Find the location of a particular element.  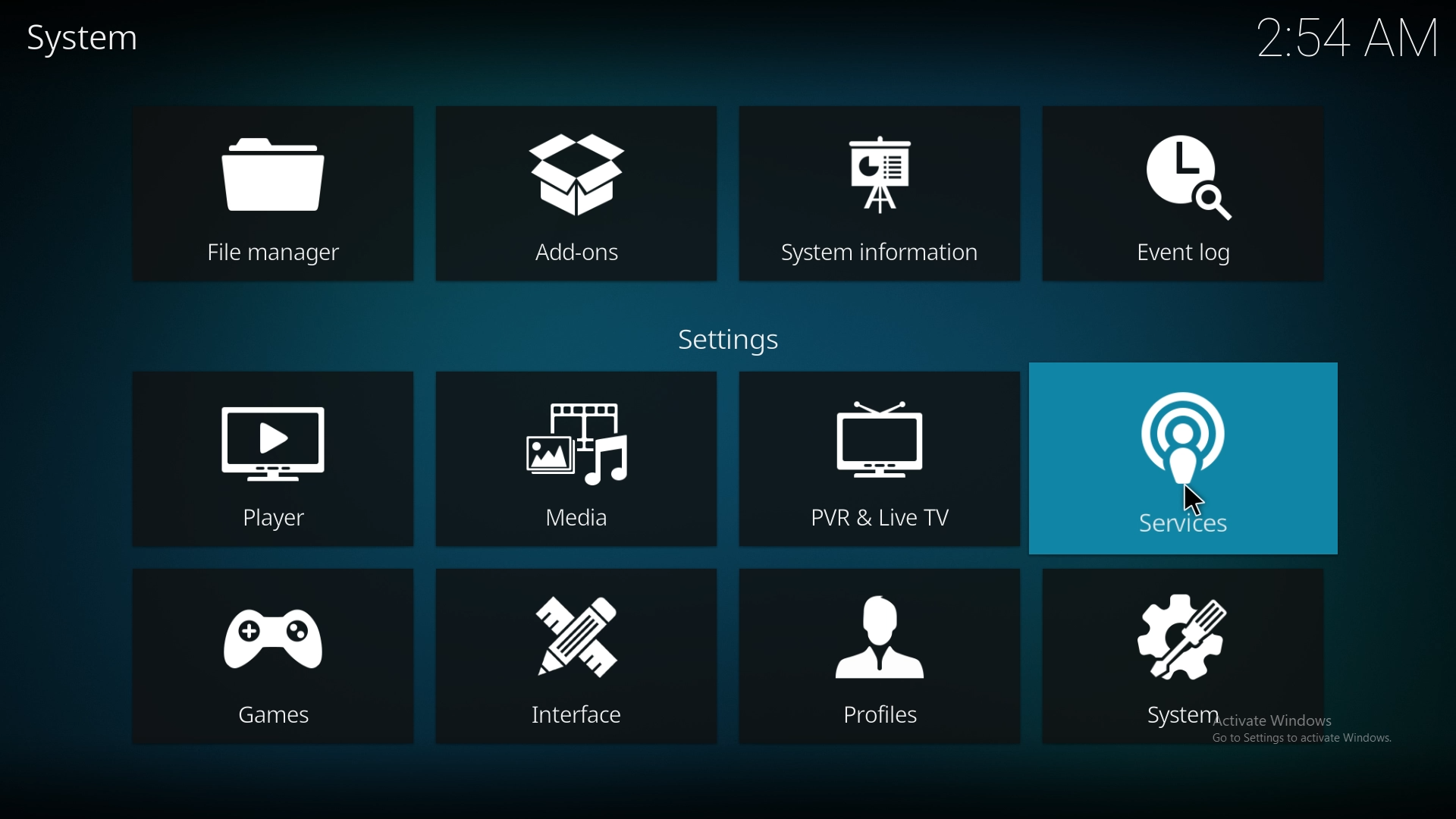

system is located at coordinates (1186, 654).